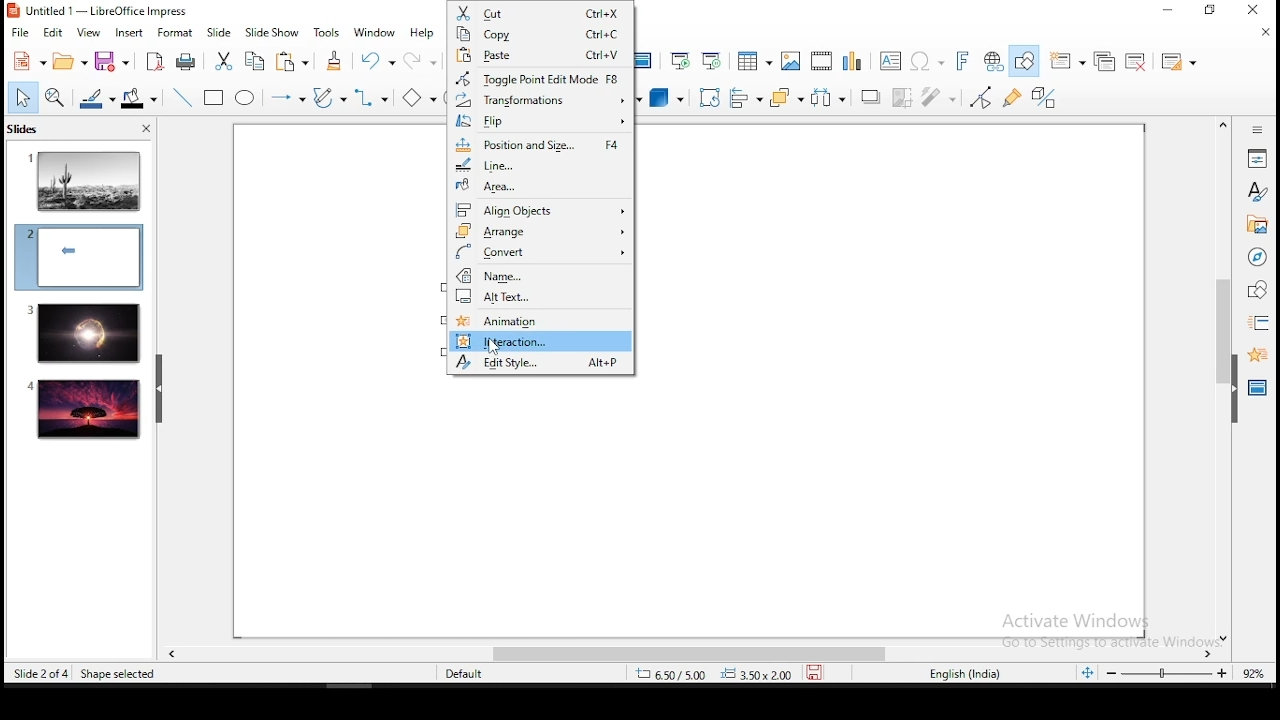 The image size is (1280, 720). I want to click on interaction, so click(542, 340).